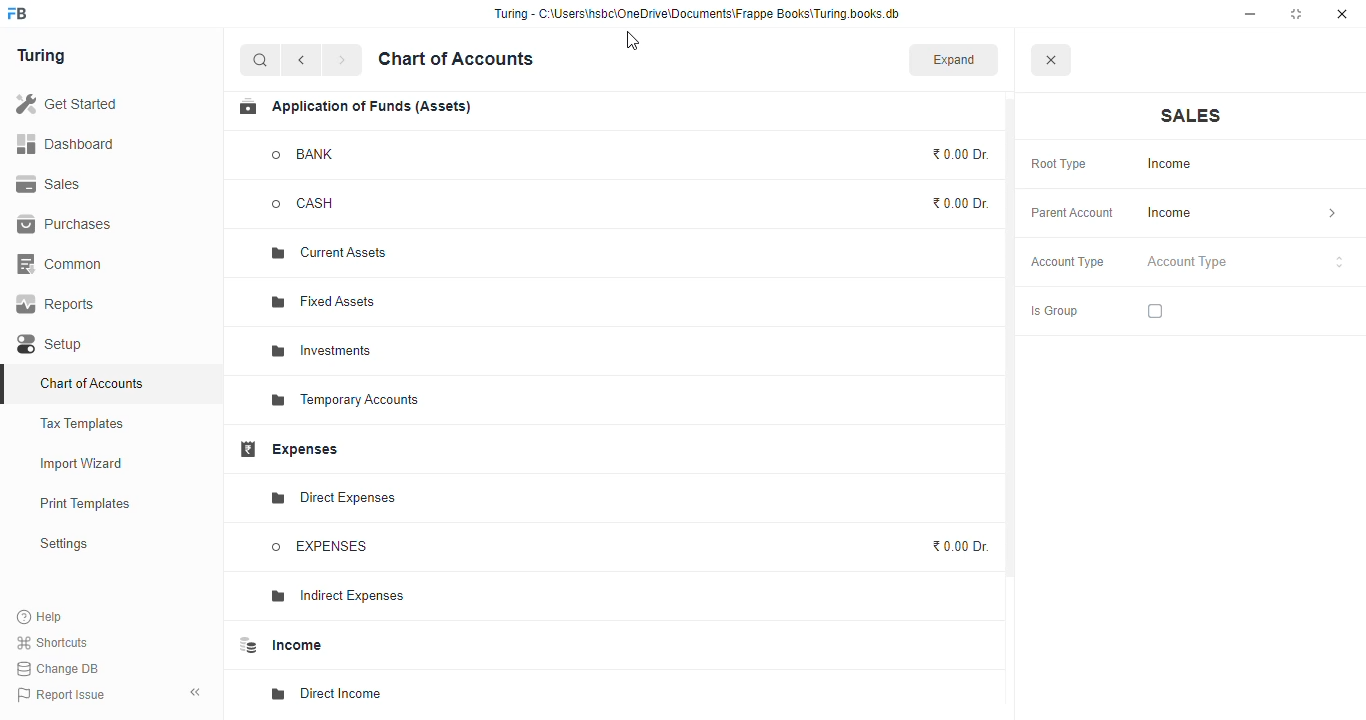 This screenshot has height=720, width=1366. Describe the element at coordinates (1174, 164) in the screenshot. I see `income` at that location.